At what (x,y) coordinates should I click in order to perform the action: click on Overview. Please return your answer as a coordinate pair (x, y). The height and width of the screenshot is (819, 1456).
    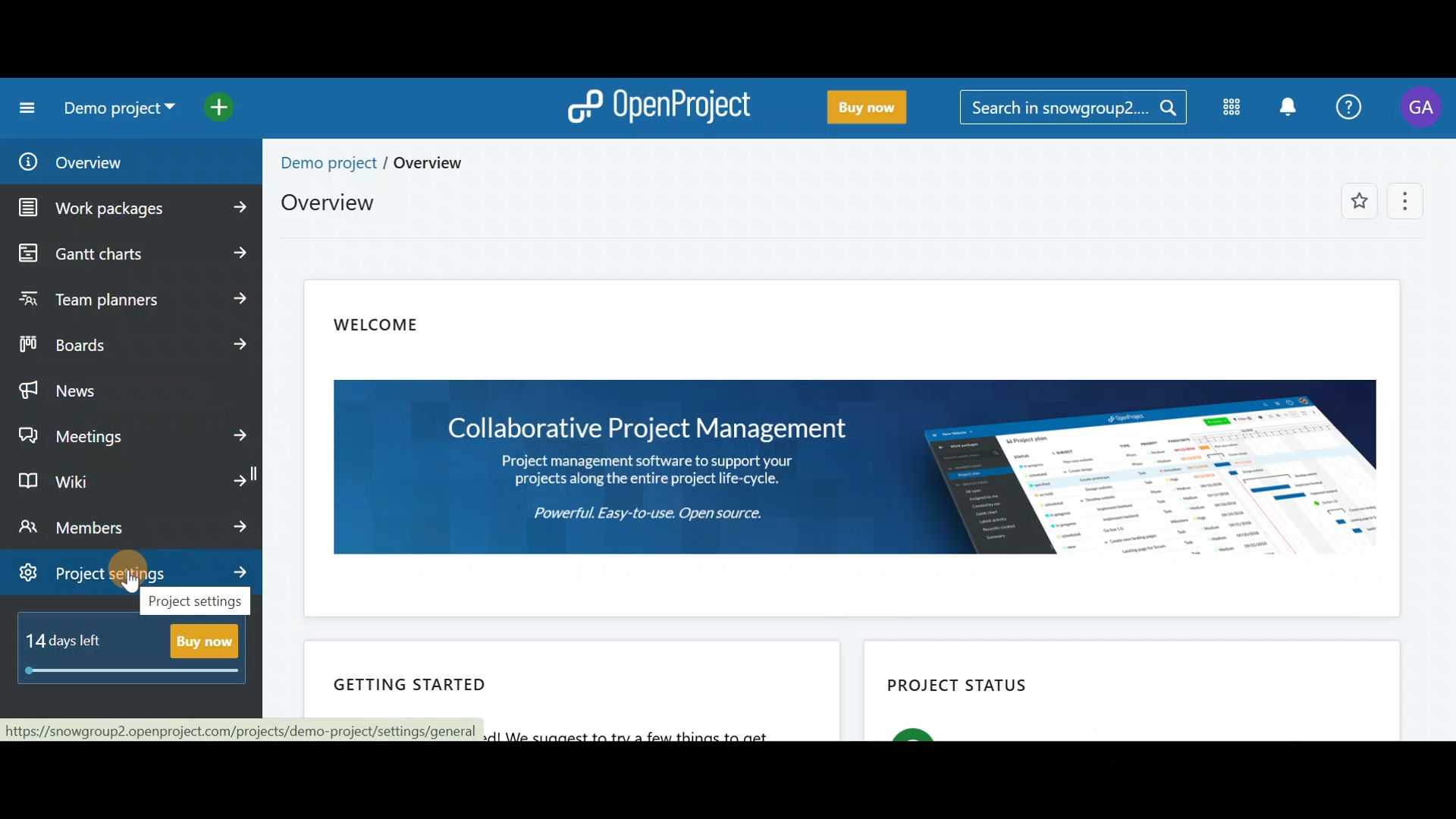
    Looking at the image, I should click on (115, 160).